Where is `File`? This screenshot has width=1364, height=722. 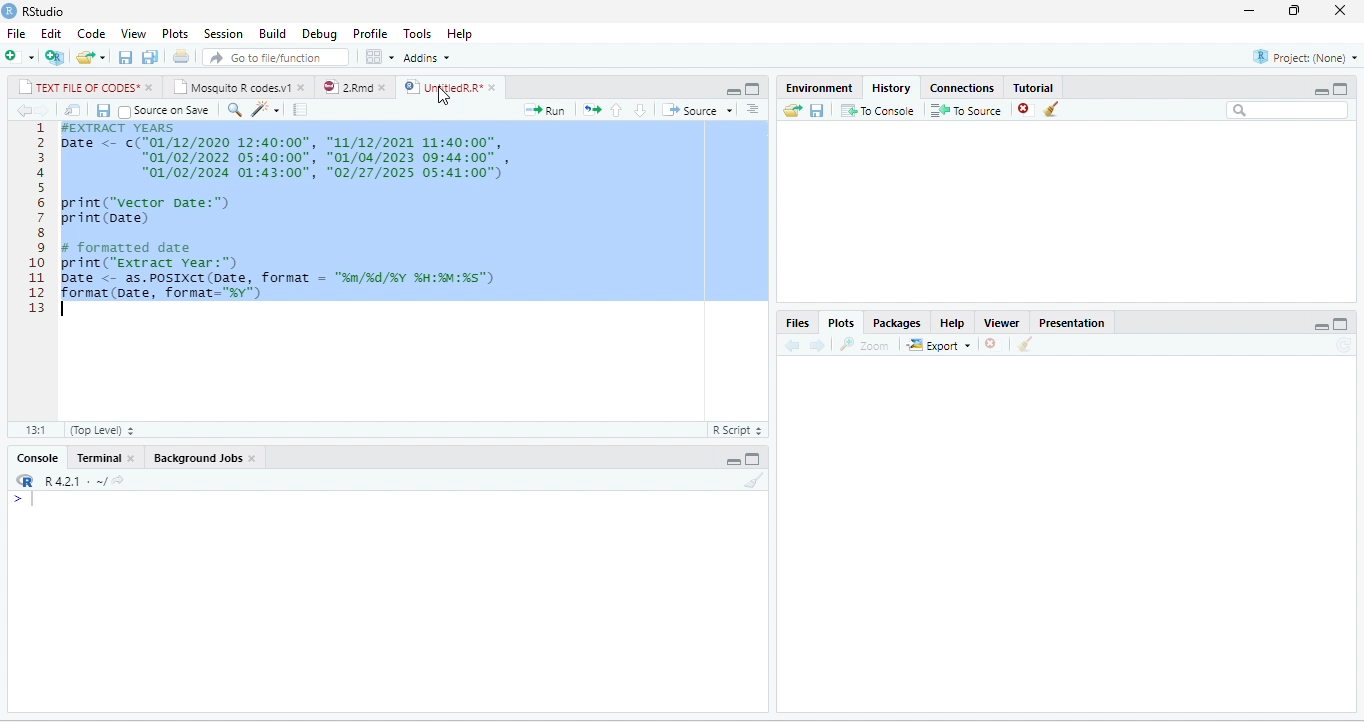 File is located at coordinates (16, 34).